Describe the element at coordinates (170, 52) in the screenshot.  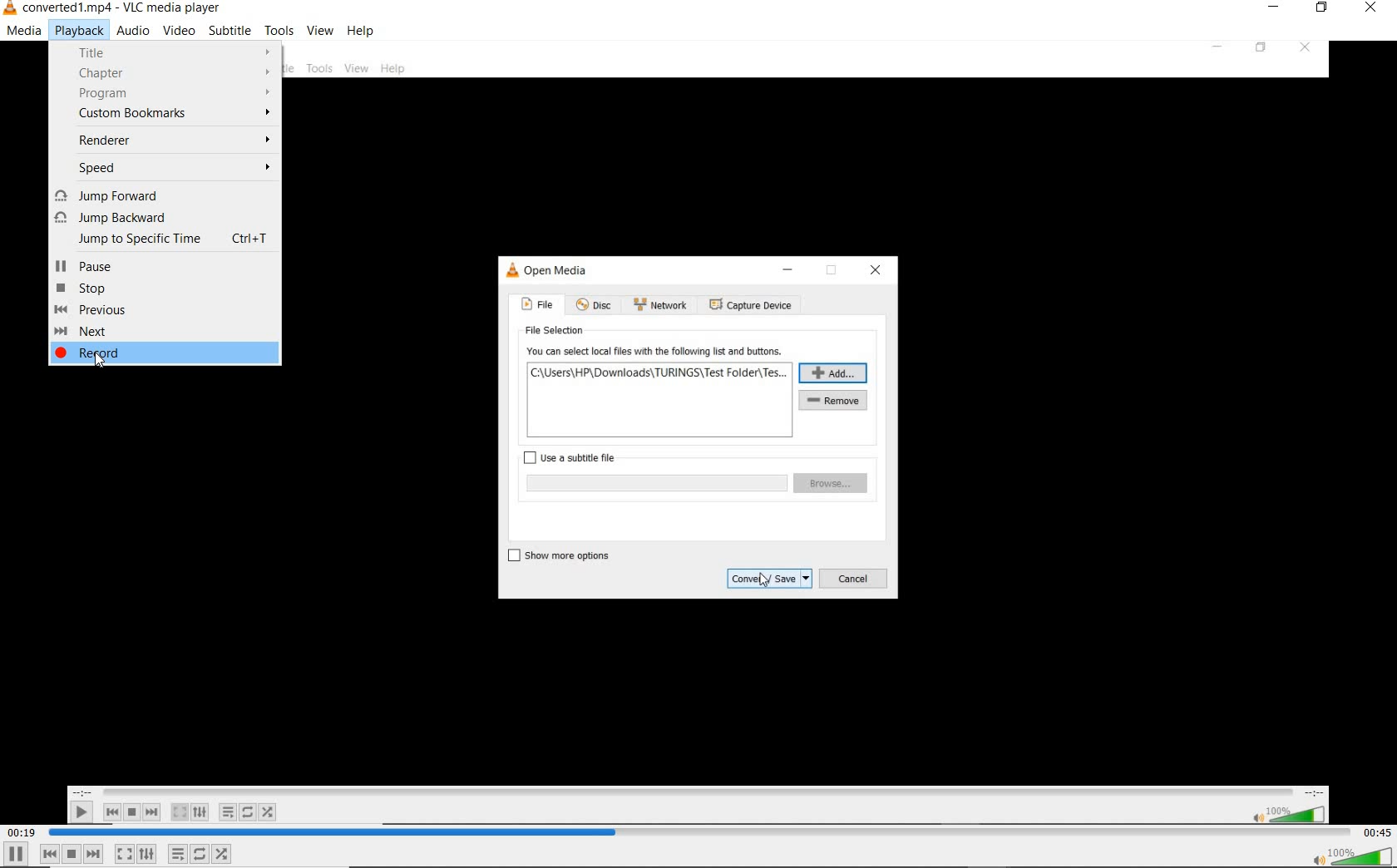
I see `title ` at that location.